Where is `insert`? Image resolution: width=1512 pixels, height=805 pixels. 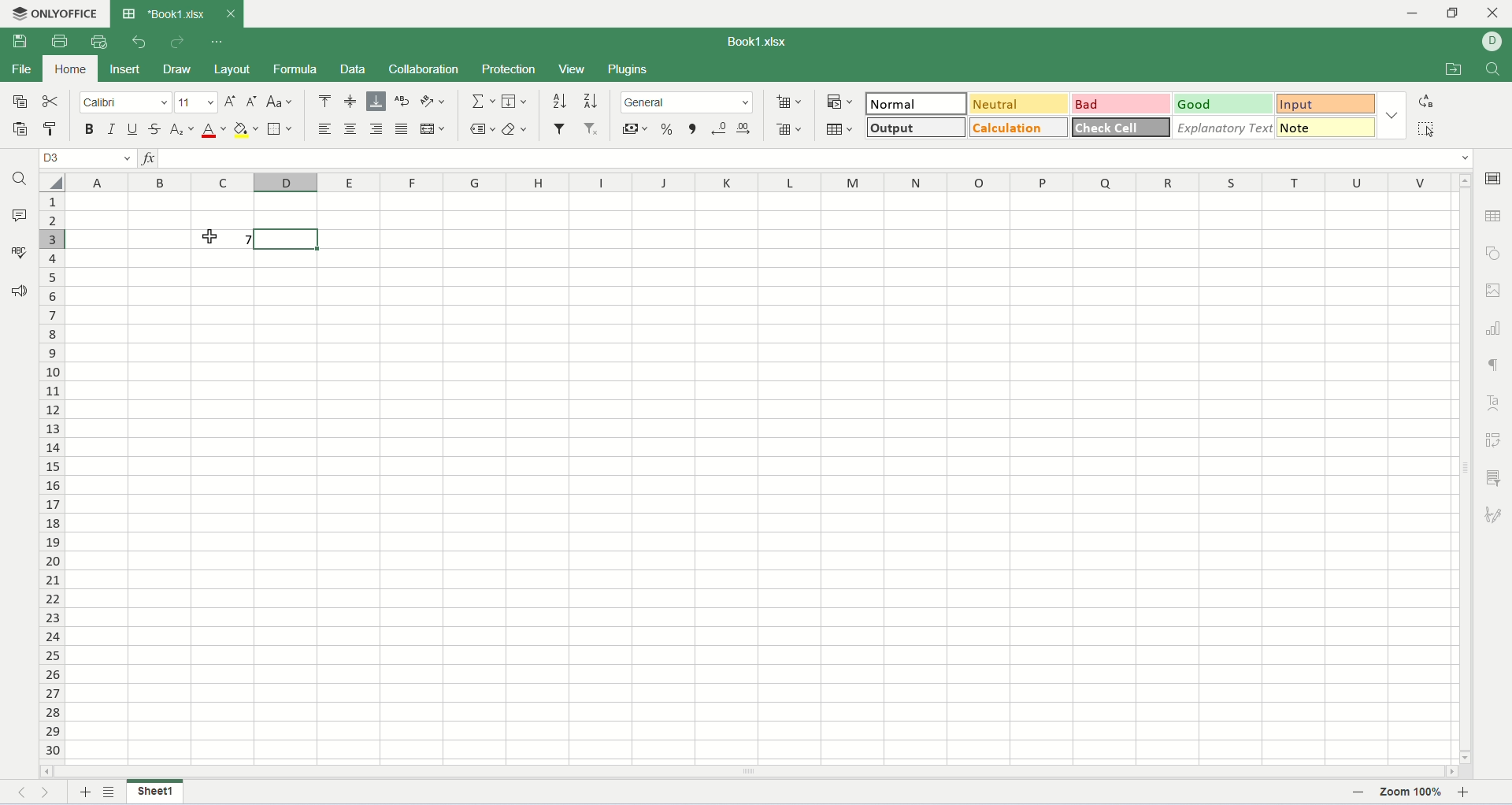
insert is located at coordinates (124, 69).